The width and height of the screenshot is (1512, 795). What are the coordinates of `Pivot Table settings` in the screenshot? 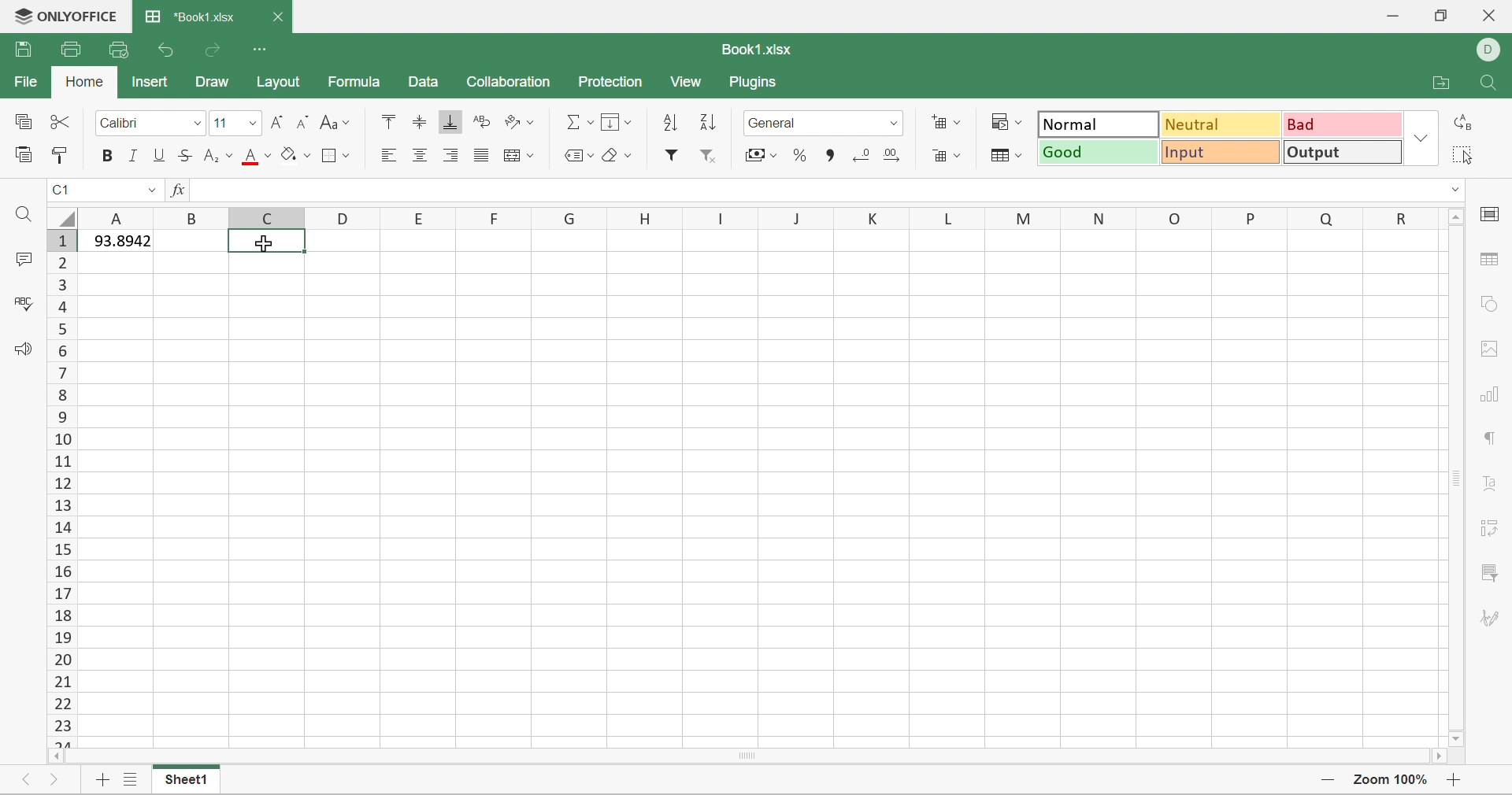 It's located at (1494, 527).